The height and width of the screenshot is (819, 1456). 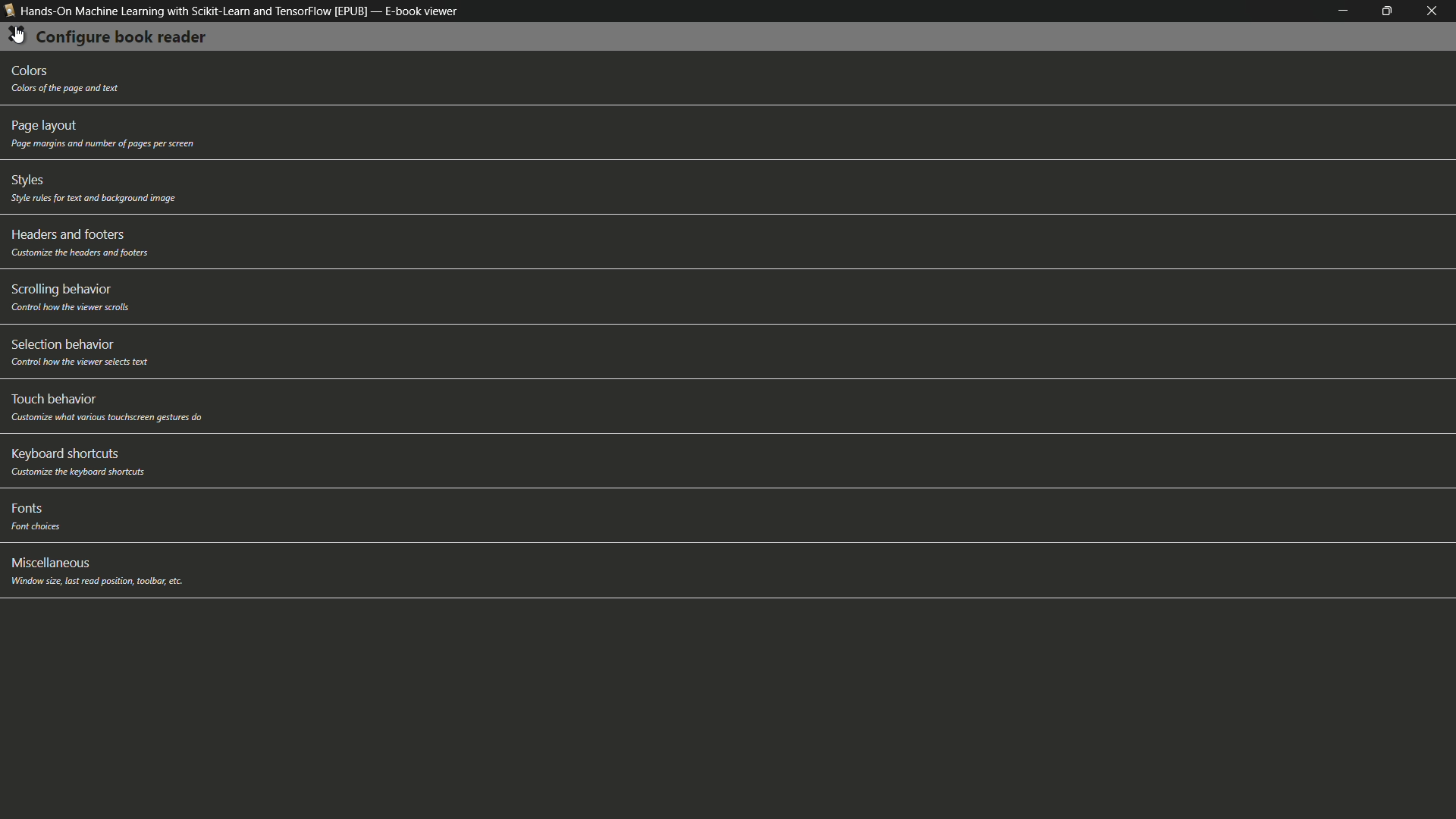 What do you see at coordinates (20, 37) in the screenshot?
I see `cursor` at bounding box center [20, 37].